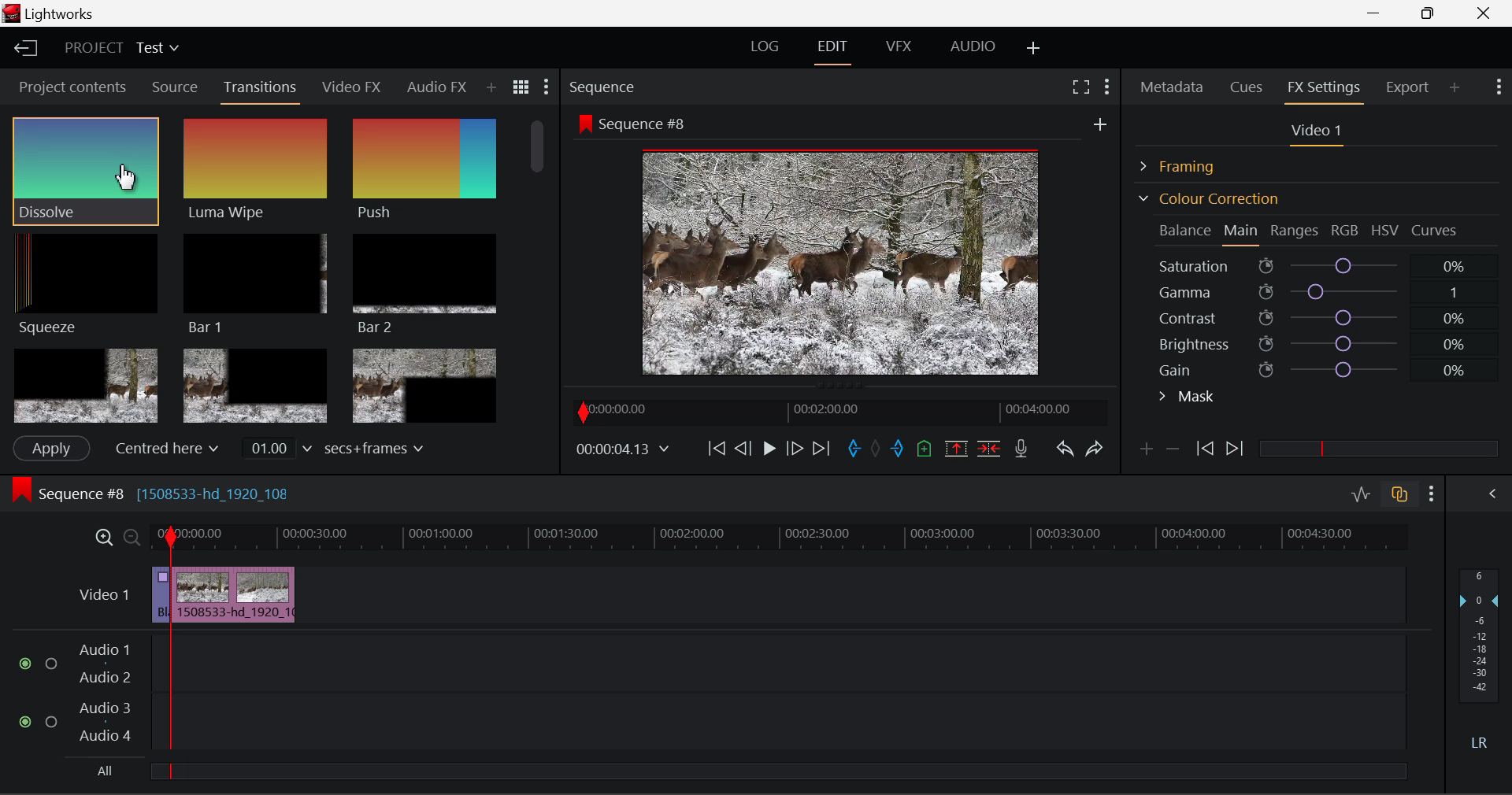 This screenshot has height=795, width=1512. Describe the element at coordinates (764, 46) in the screenshot. I see `LOG Layout` at that location.